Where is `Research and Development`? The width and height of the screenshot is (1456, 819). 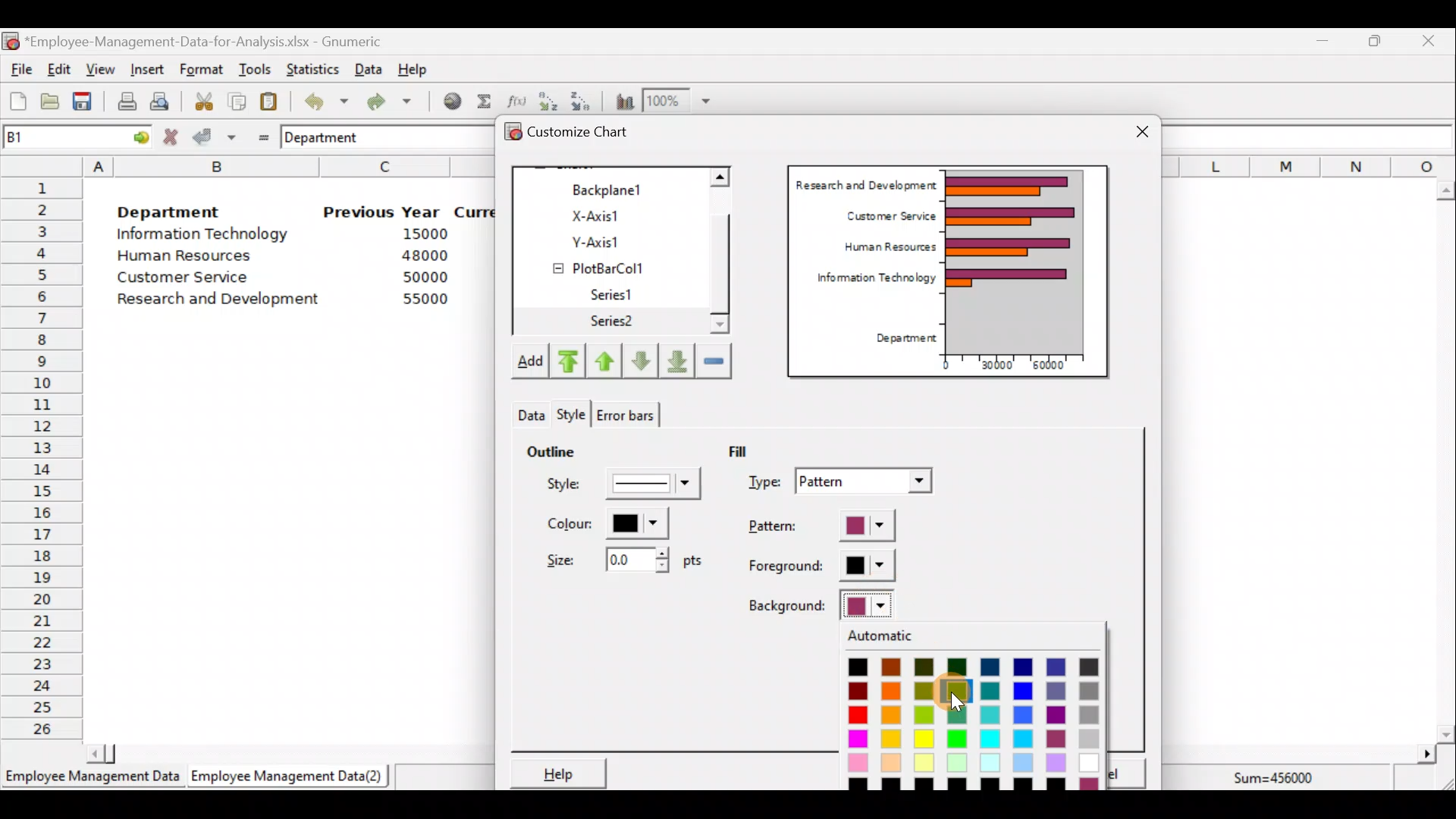 Research and Development is located at coordinates (865, 183).